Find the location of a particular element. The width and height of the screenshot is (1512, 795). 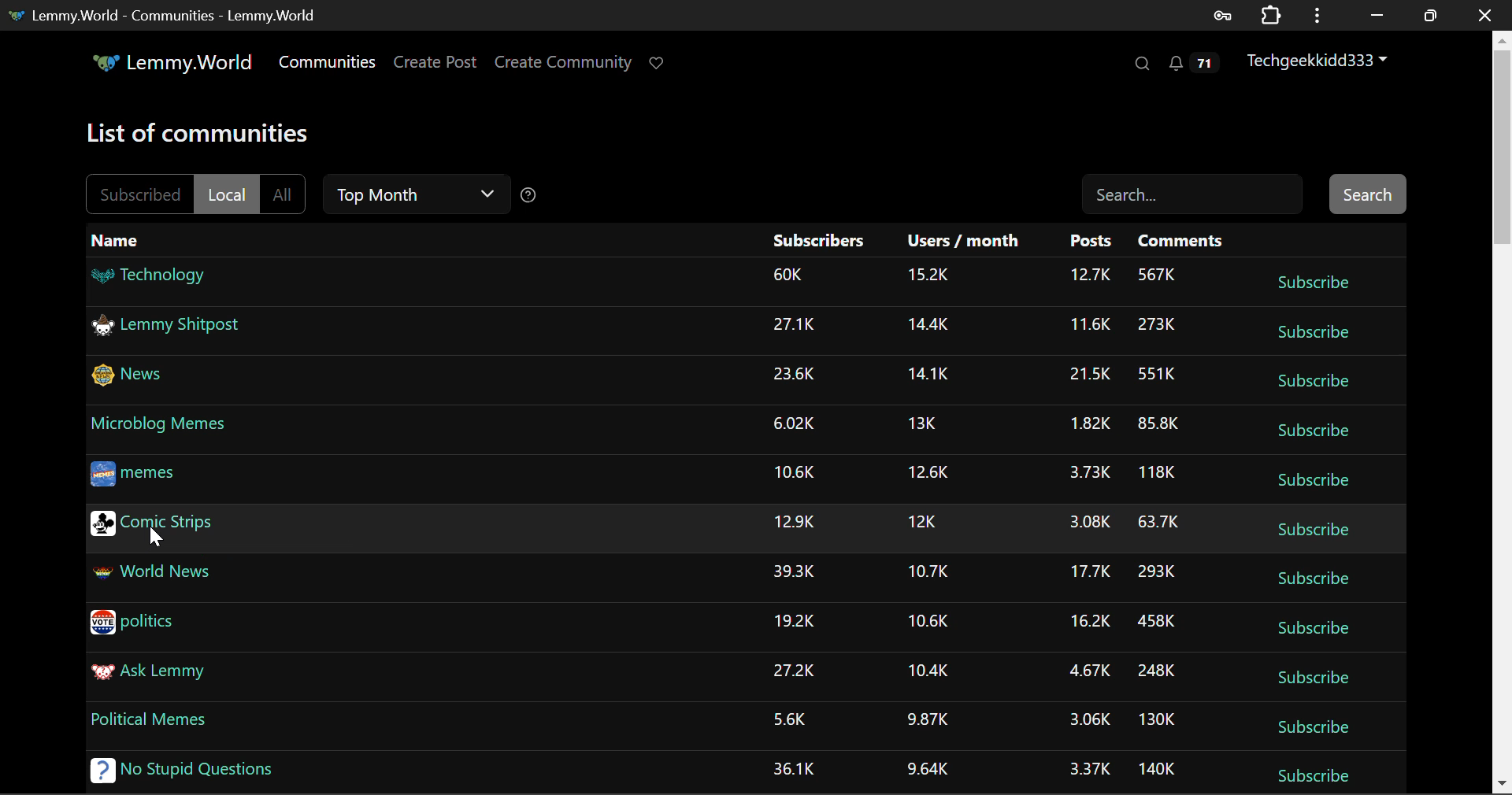

List of communities is located at coordinates (200, 136).